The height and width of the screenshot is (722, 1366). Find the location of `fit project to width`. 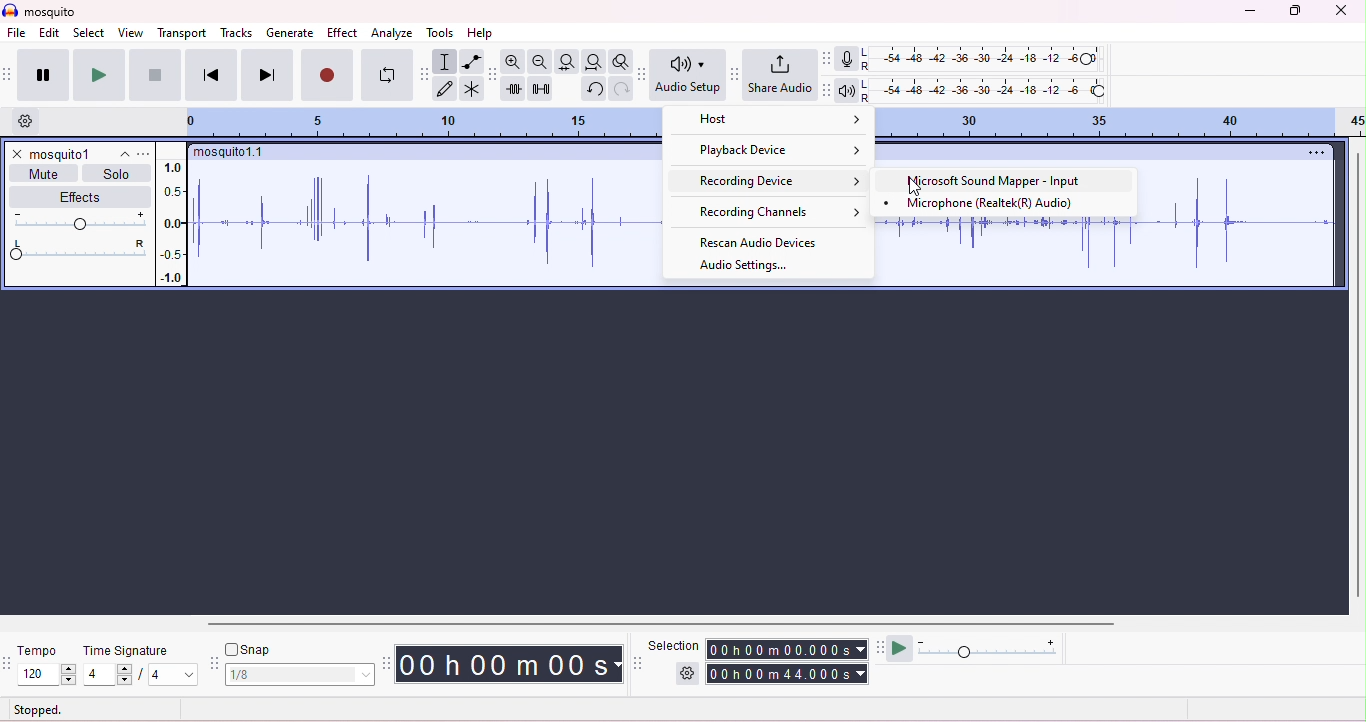

fit project to width is located at coordinates (593, 62).